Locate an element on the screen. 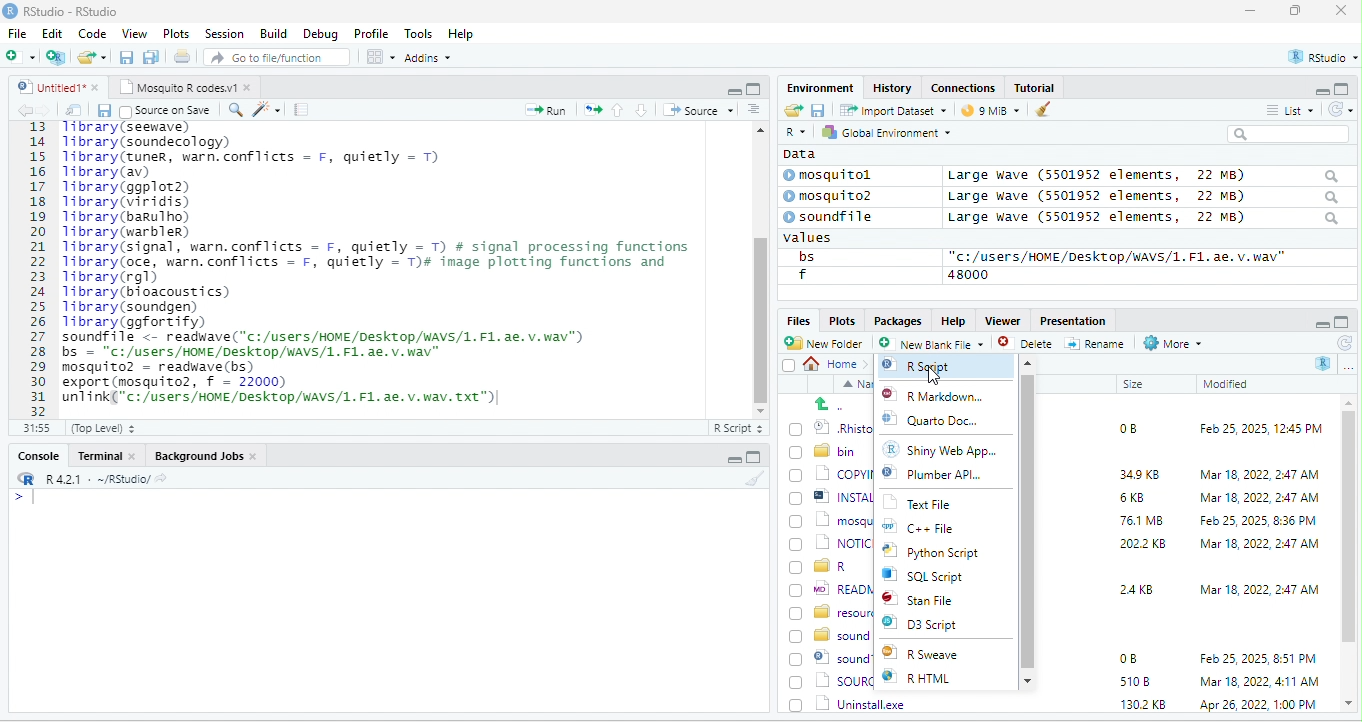 Image resolution: width=1362 pixels, height=722 pixels. Environment is located at coordinates (820, 87).